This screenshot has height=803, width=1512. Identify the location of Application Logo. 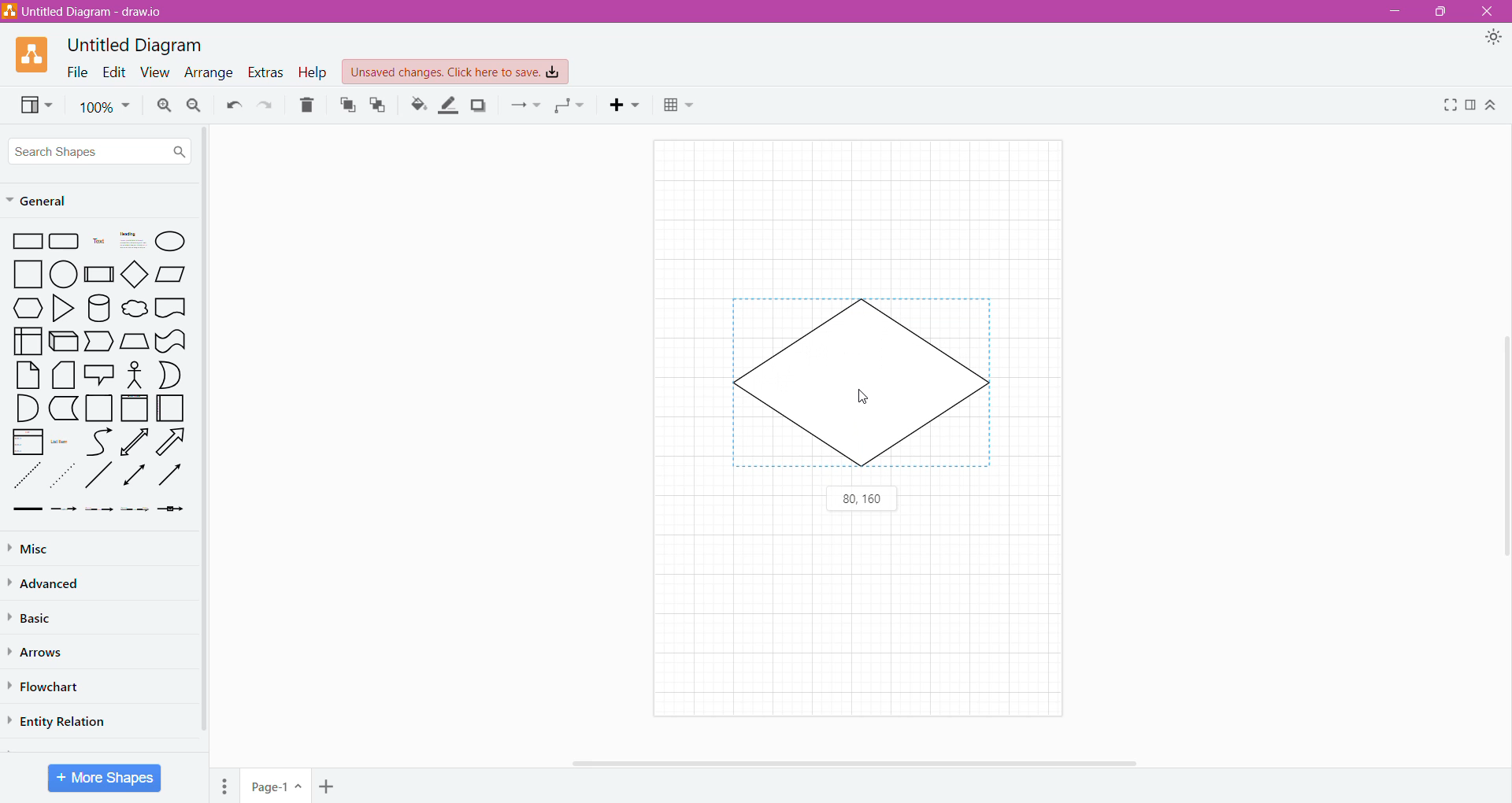
(34, 54).